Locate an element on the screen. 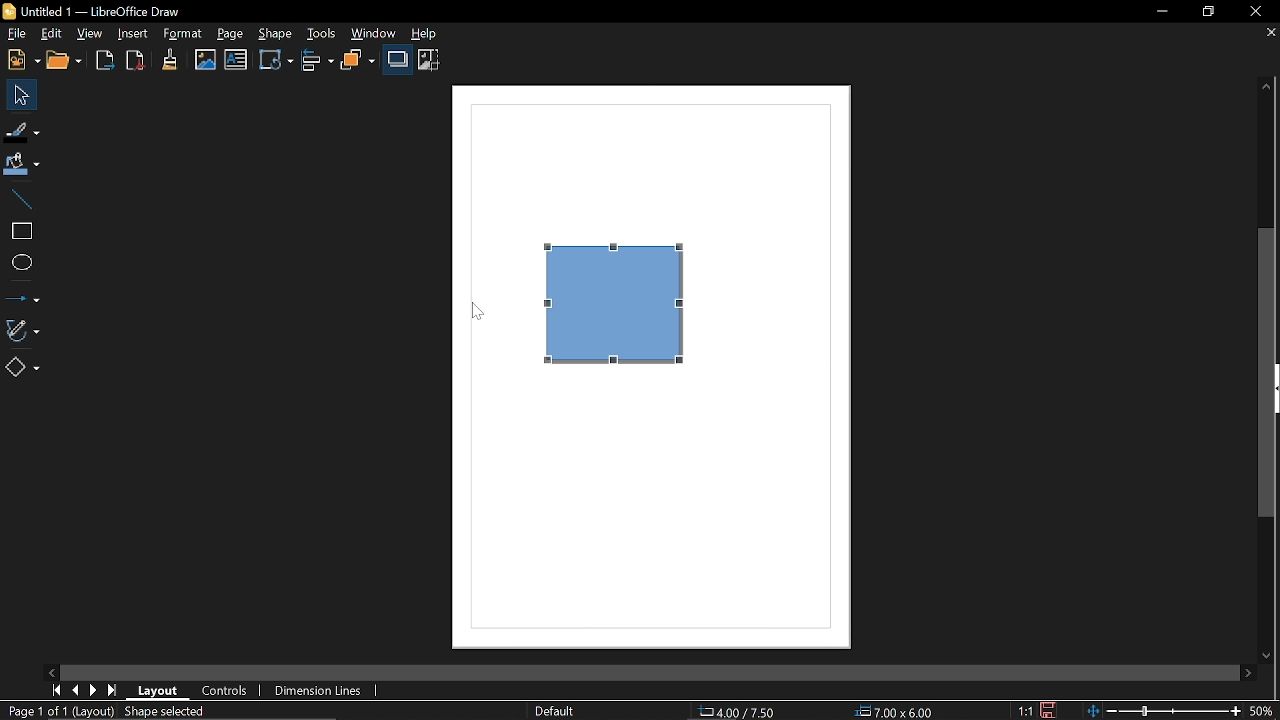  Line is located at coordinates (22, 195).